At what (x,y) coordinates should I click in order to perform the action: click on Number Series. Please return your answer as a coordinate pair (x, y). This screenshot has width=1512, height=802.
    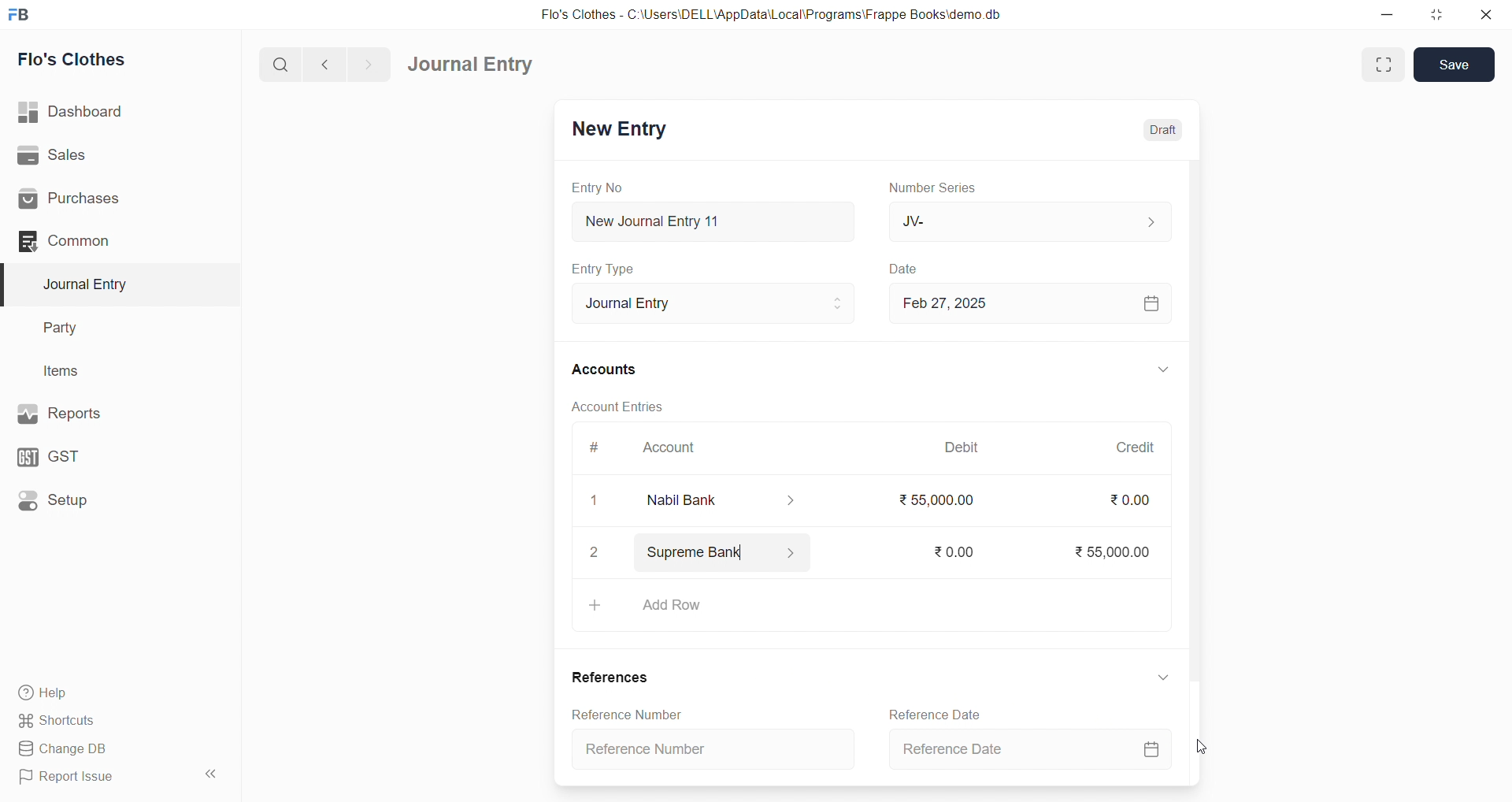
    Looking at the image, I should click on (939, 188).